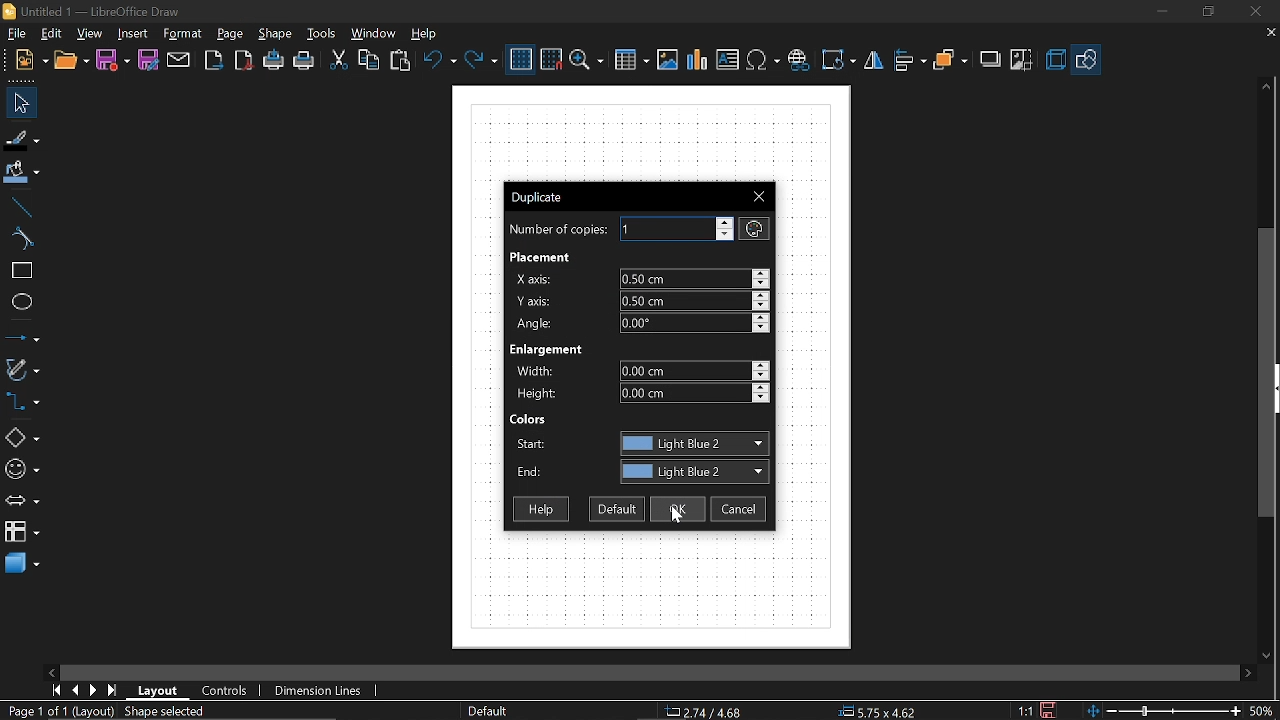 The height and width of the screenshot is (720, 1280). What do you see at coordinates (22, 103) in the screenshot?
I see `Select` at bounding box center [22, 103].